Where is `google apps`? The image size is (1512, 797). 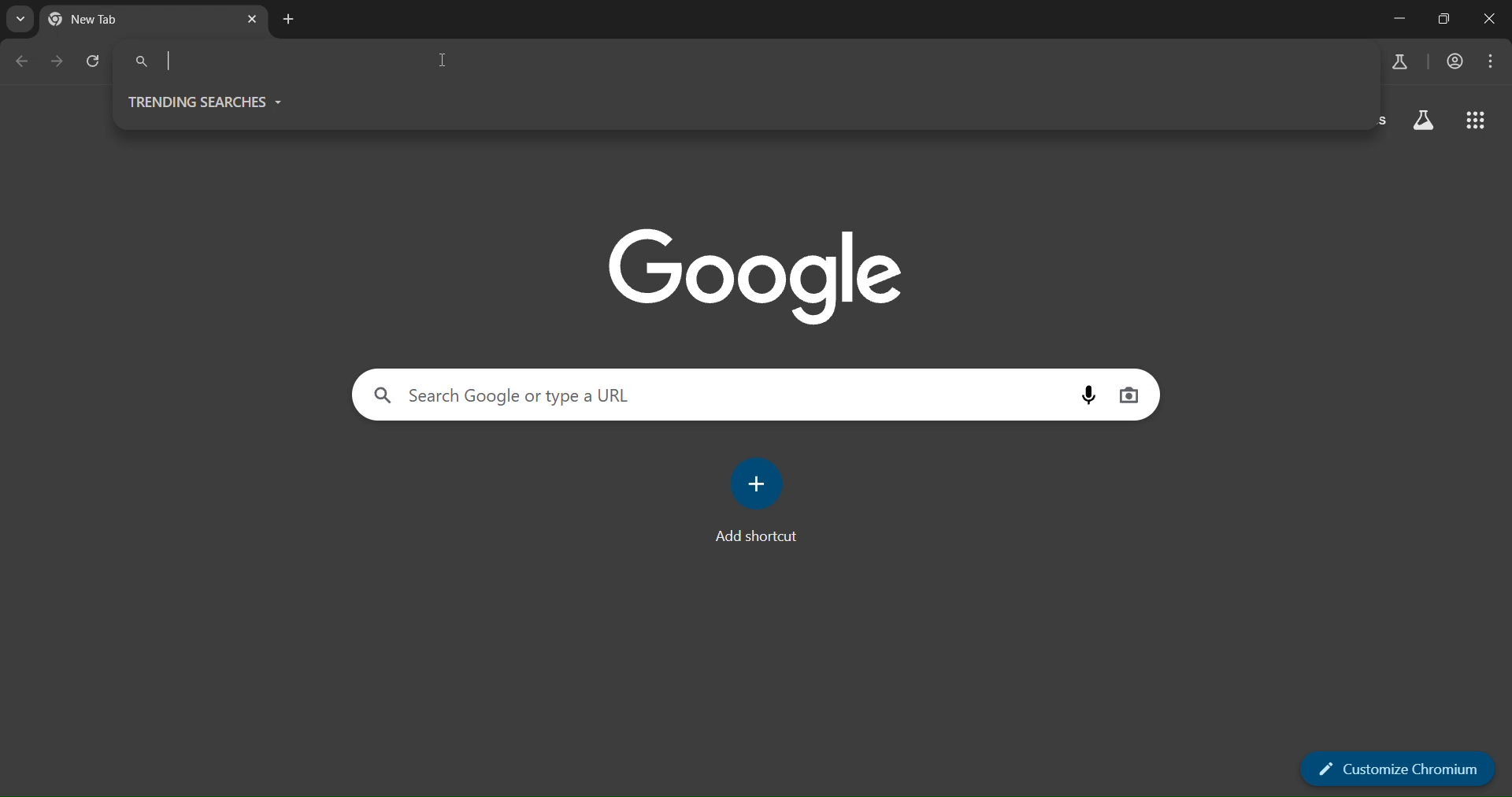 google apps is located at coordinates (1473, 121).